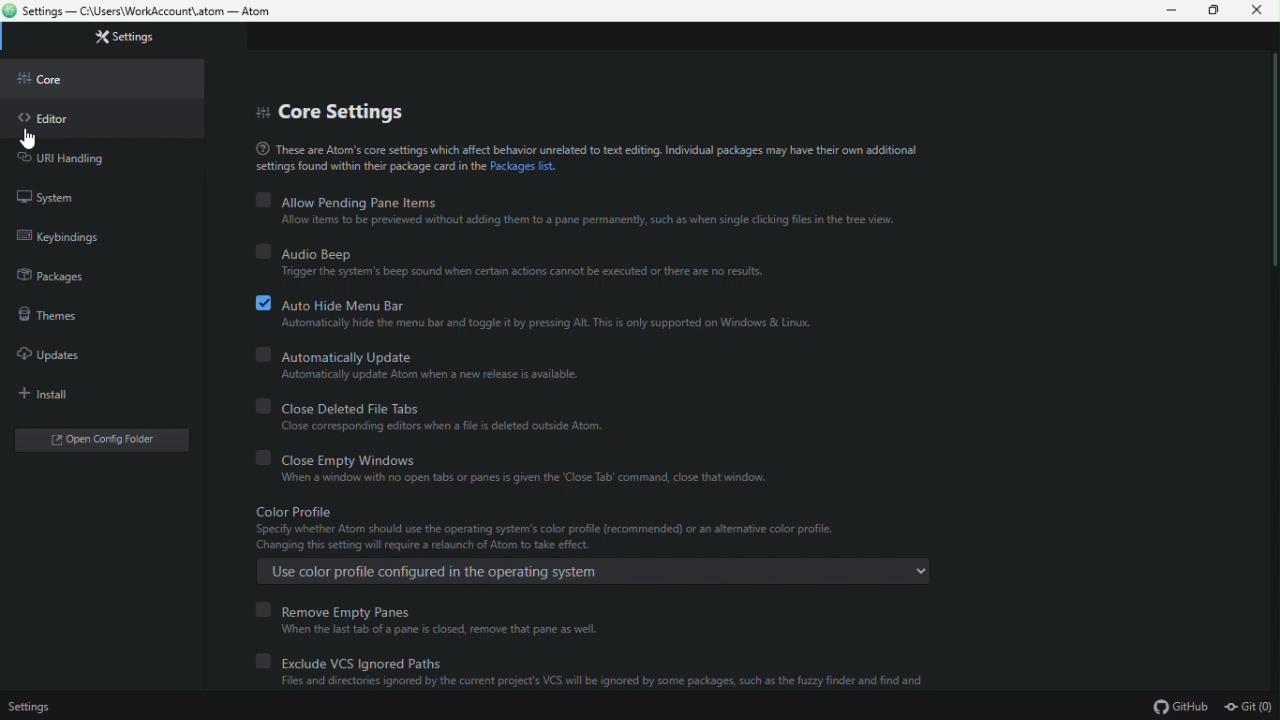 The image size is (1280, 720). I want to click on Core settings, so click(345, 116).